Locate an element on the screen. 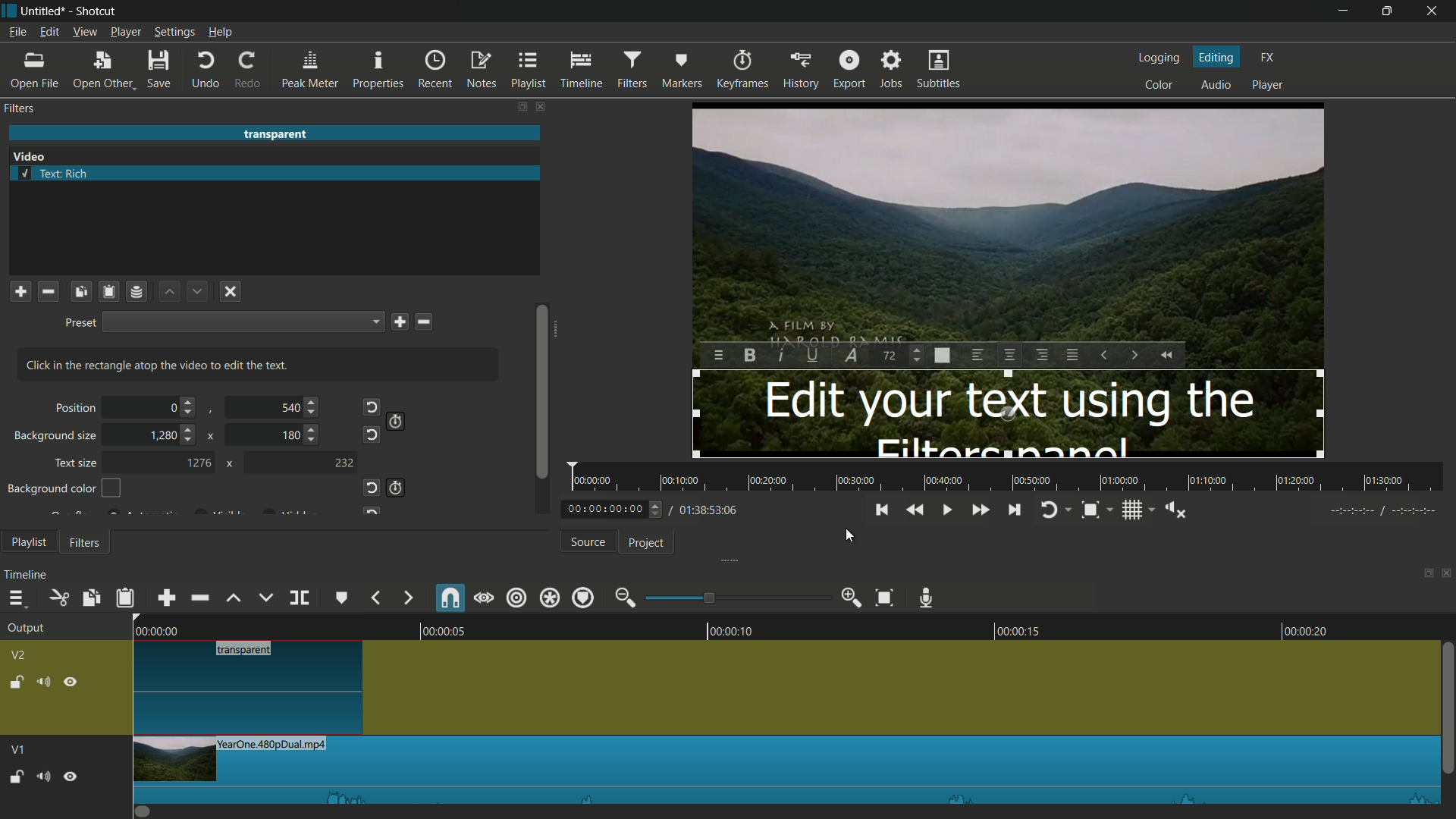 Image resolution: width=1456 pixels, height=819 pixels. 00:00:00 is located at coordinates (148, 629).